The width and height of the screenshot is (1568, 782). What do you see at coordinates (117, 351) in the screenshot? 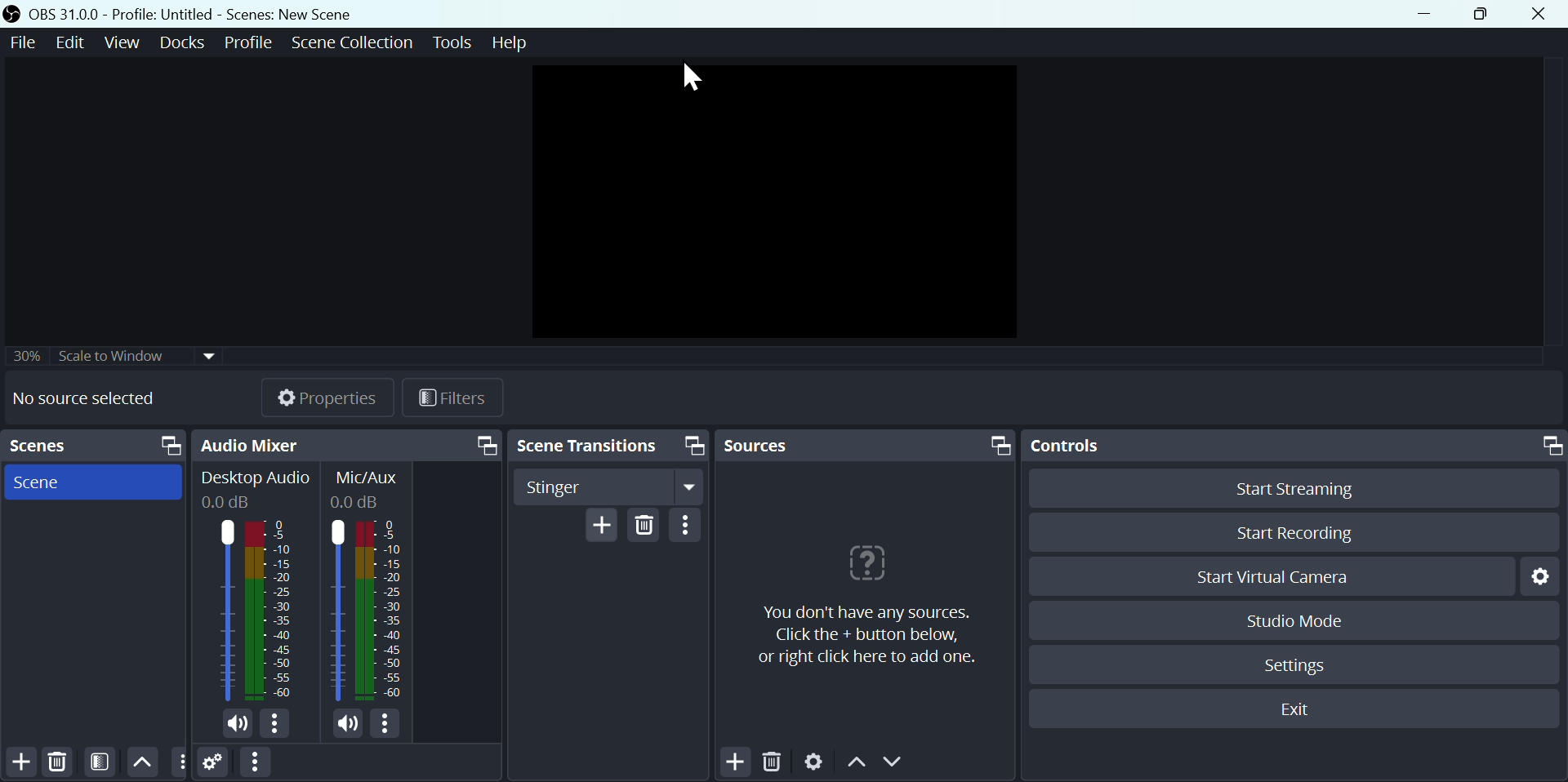
I see `` at bounding box center [117, 351].